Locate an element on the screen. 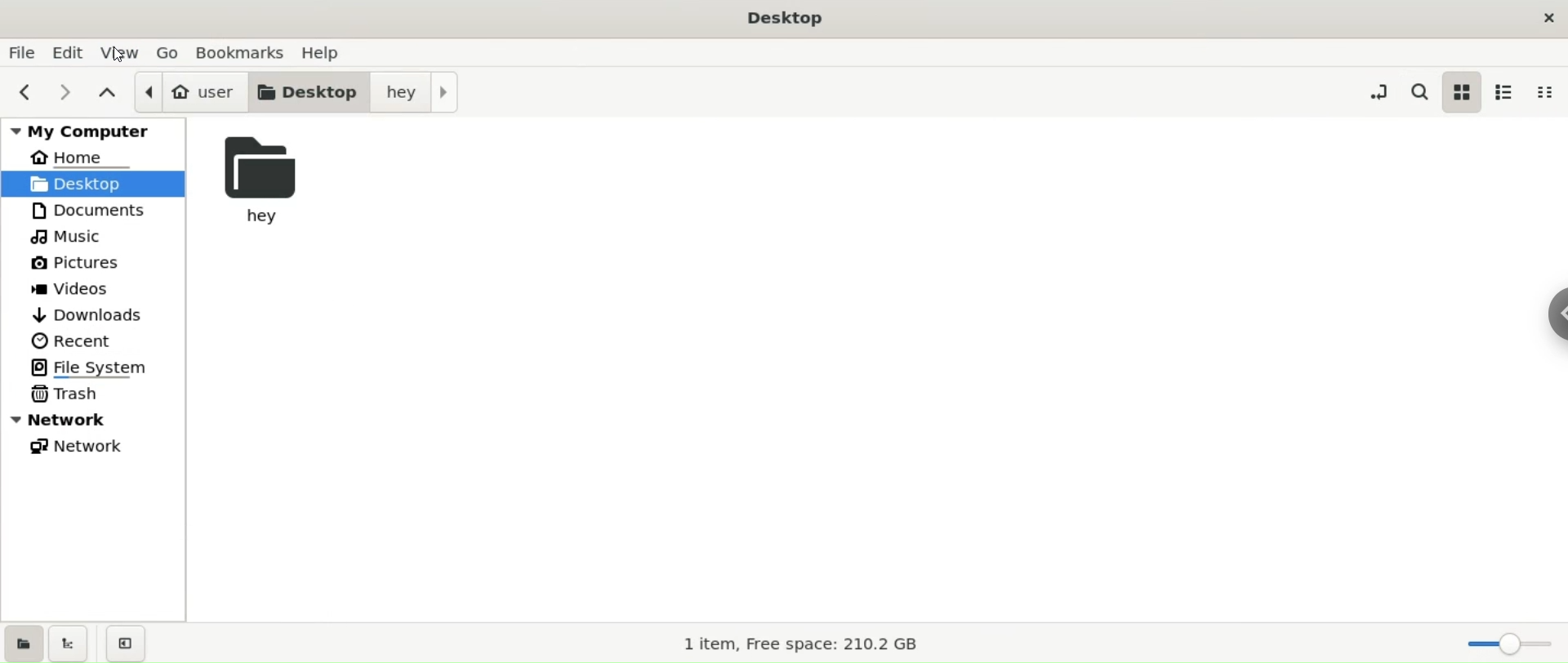 This screenshot has width=1568, height=663. zoom is located at coordinates (1510, 647).